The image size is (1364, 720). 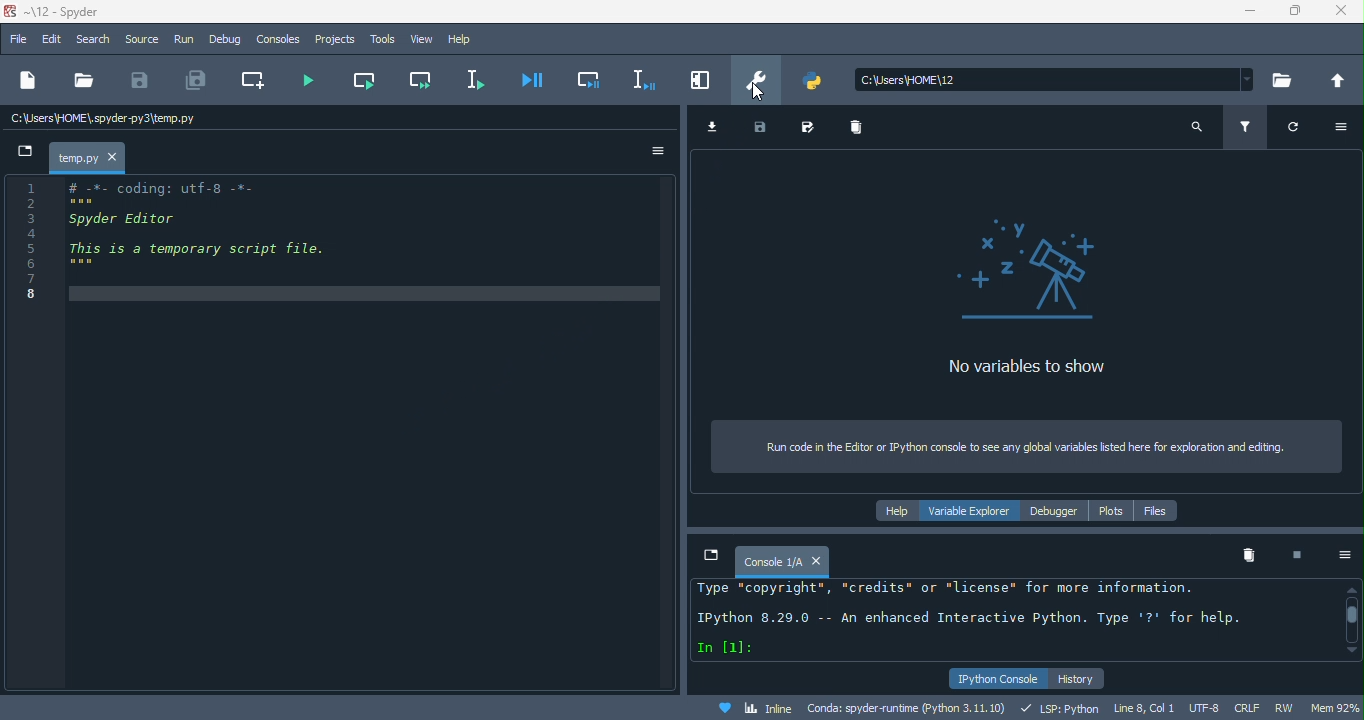 What do you see at coordinates (140, 81) in the screenshot?
I see `save` at bounding box center [140, 81].